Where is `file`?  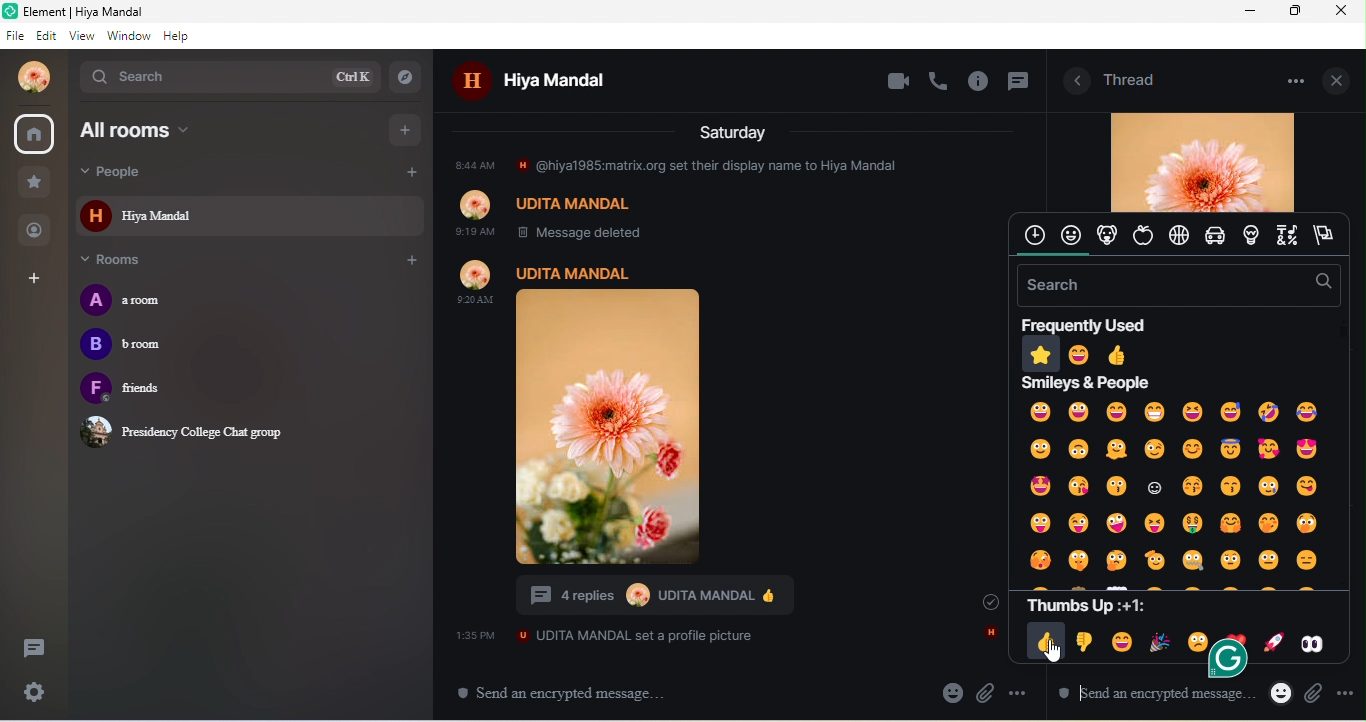
file is located at coordinates (16, 36).